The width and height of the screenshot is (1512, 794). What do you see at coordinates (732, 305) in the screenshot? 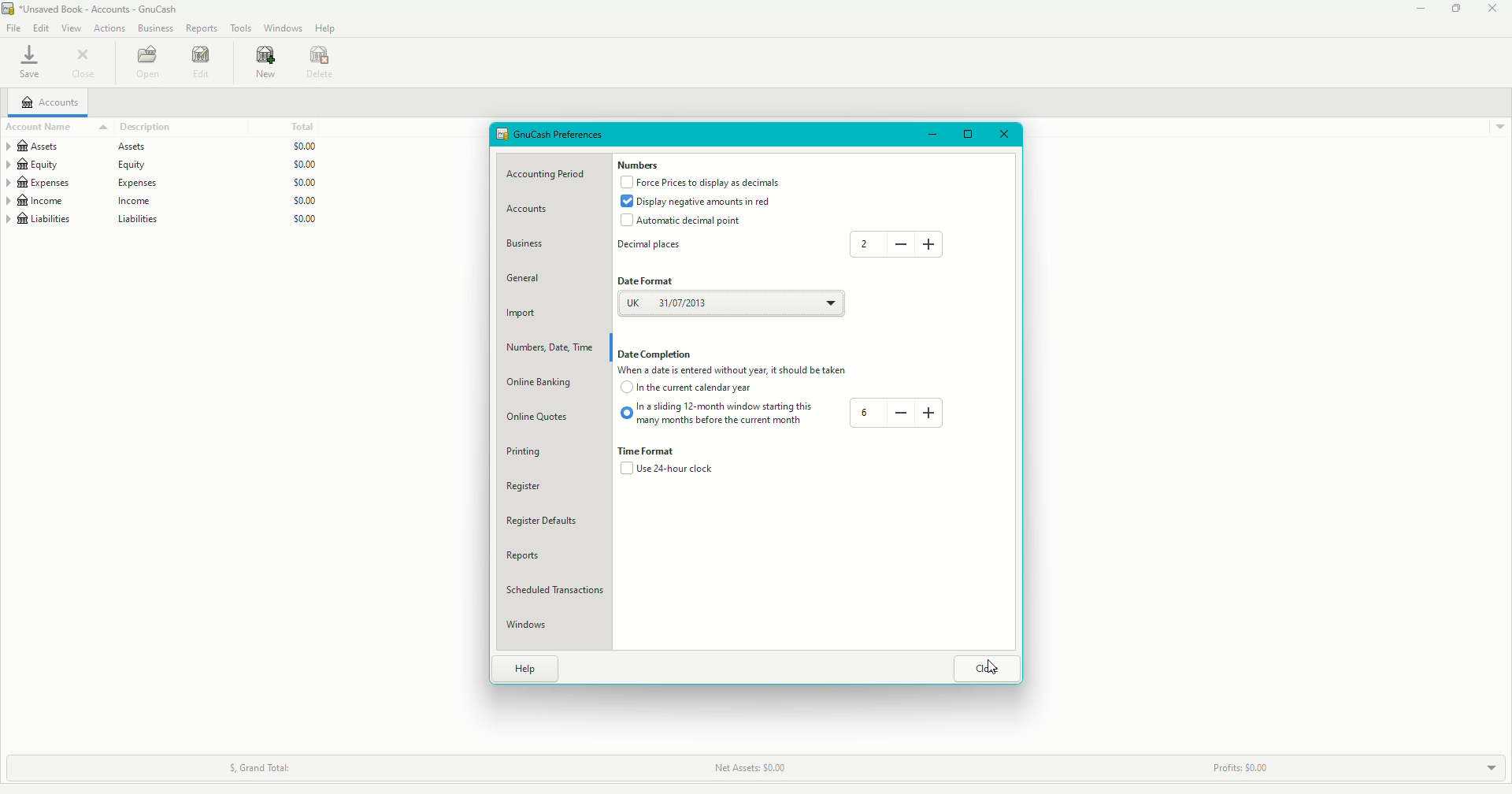
I see `UK` at bounding box center [732, 305].